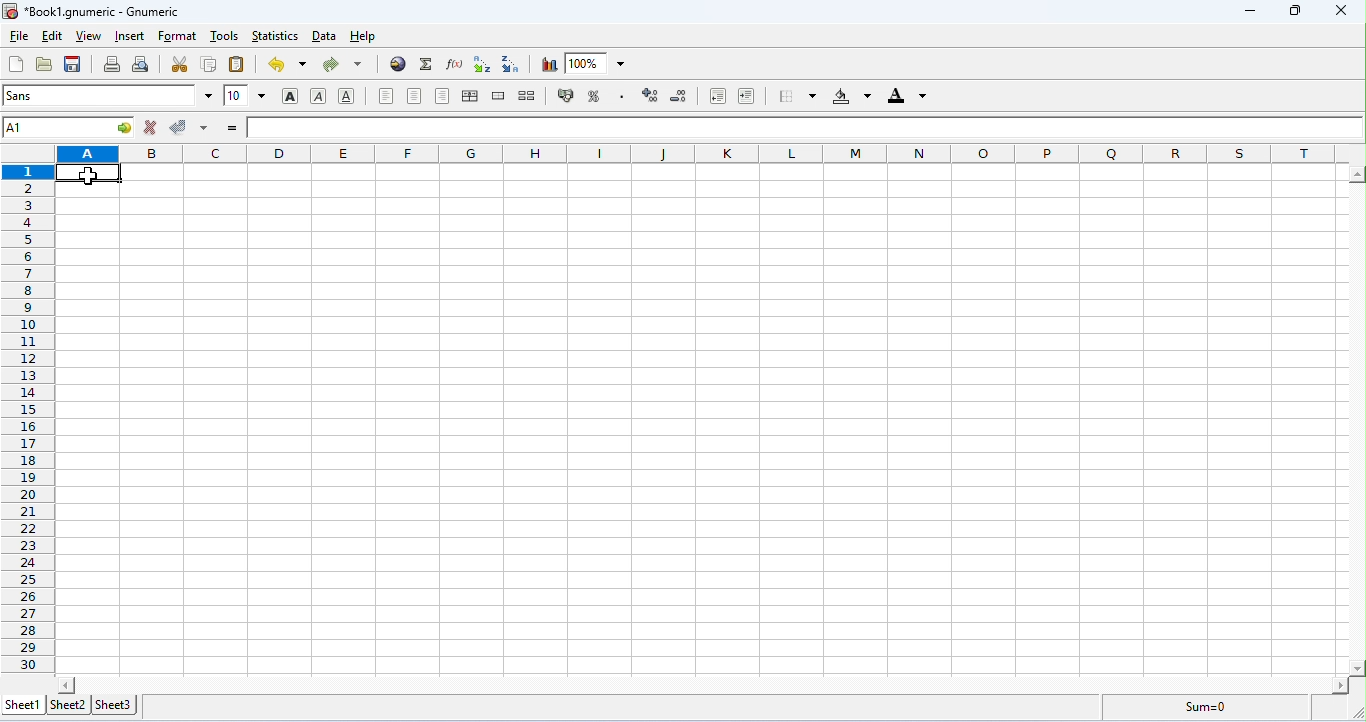 The height and width of the screenshot is (722, 1366). What do you see at coordinates (89, 37) in the screenshot?
I see `view` at bounding box center [89, 37].